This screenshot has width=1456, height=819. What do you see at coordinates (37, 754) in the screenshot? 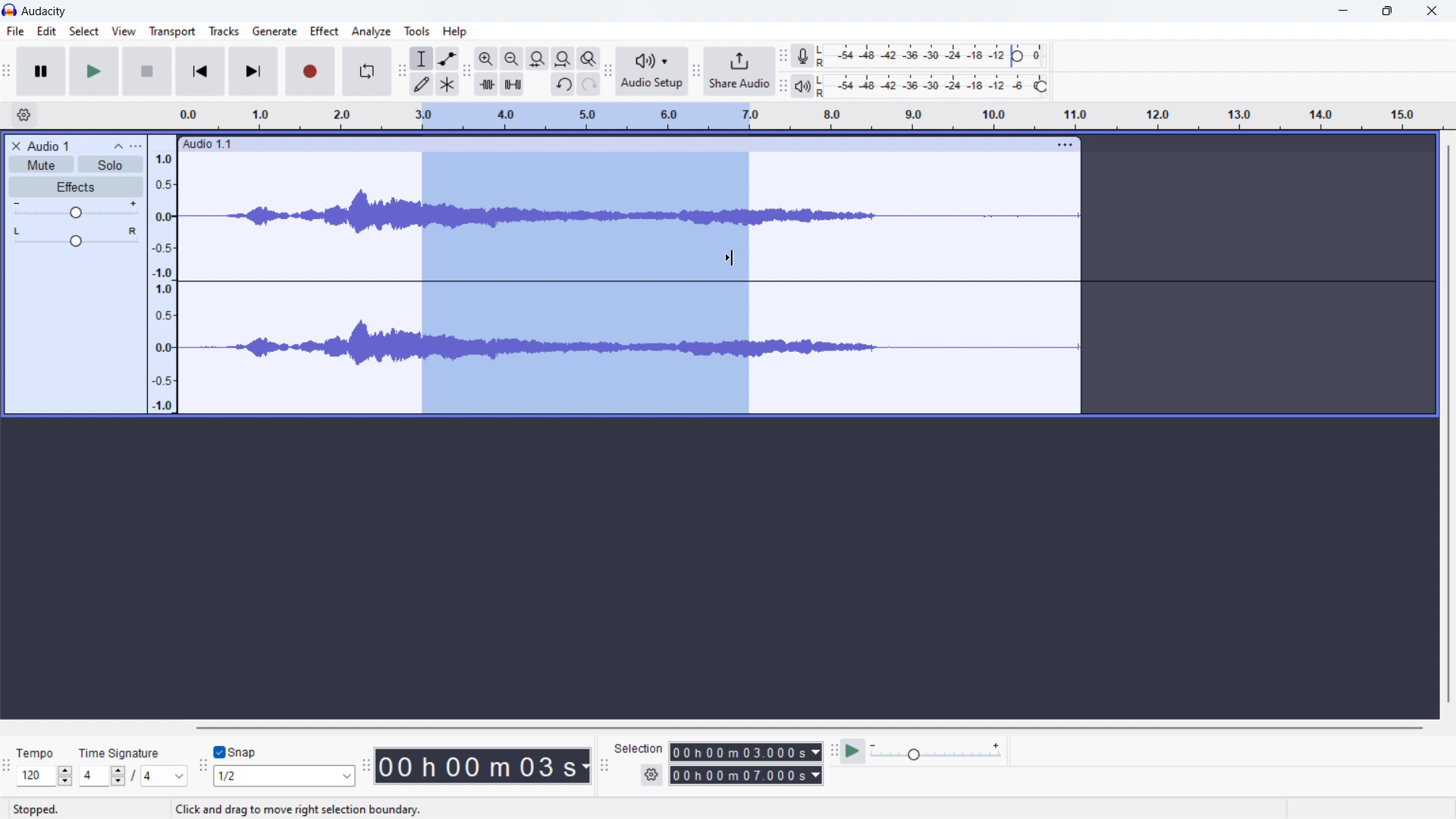
I see `Tempo` at bounding box center [37, 754].